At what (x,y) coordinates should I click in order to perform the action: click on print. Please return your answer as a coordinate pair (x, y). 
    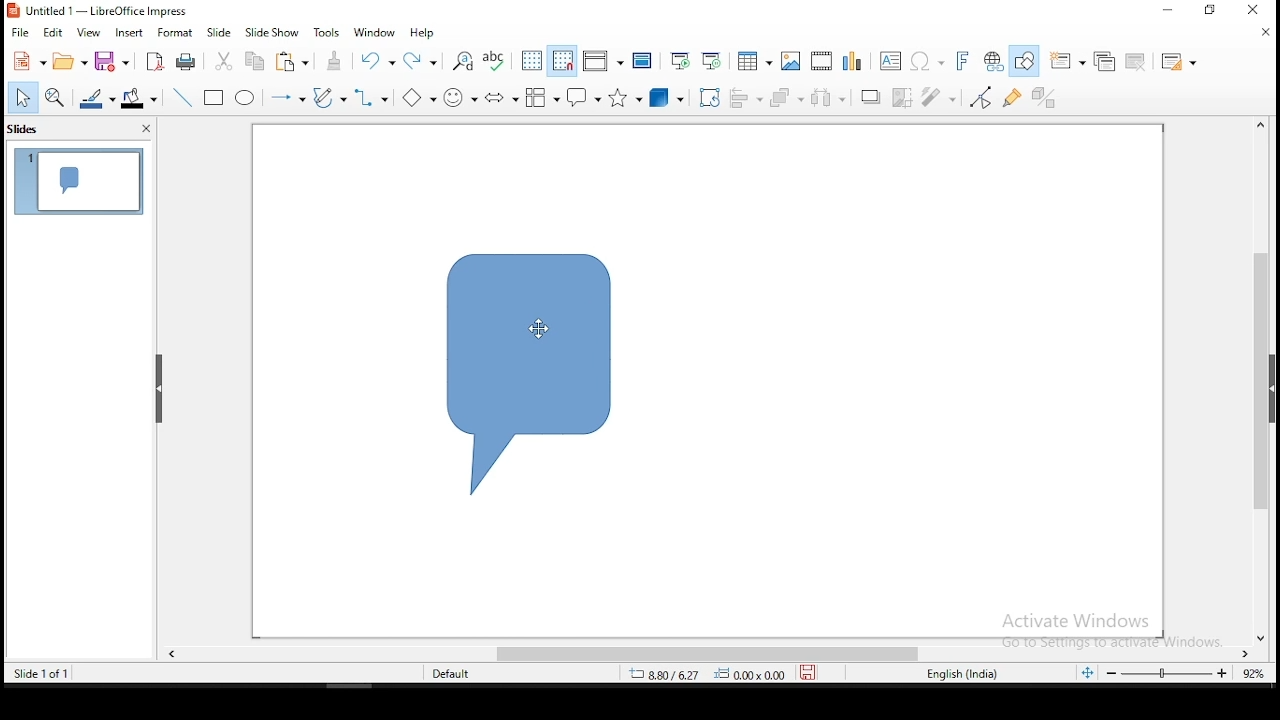
    Looking at the image, I should click on (183, 62).